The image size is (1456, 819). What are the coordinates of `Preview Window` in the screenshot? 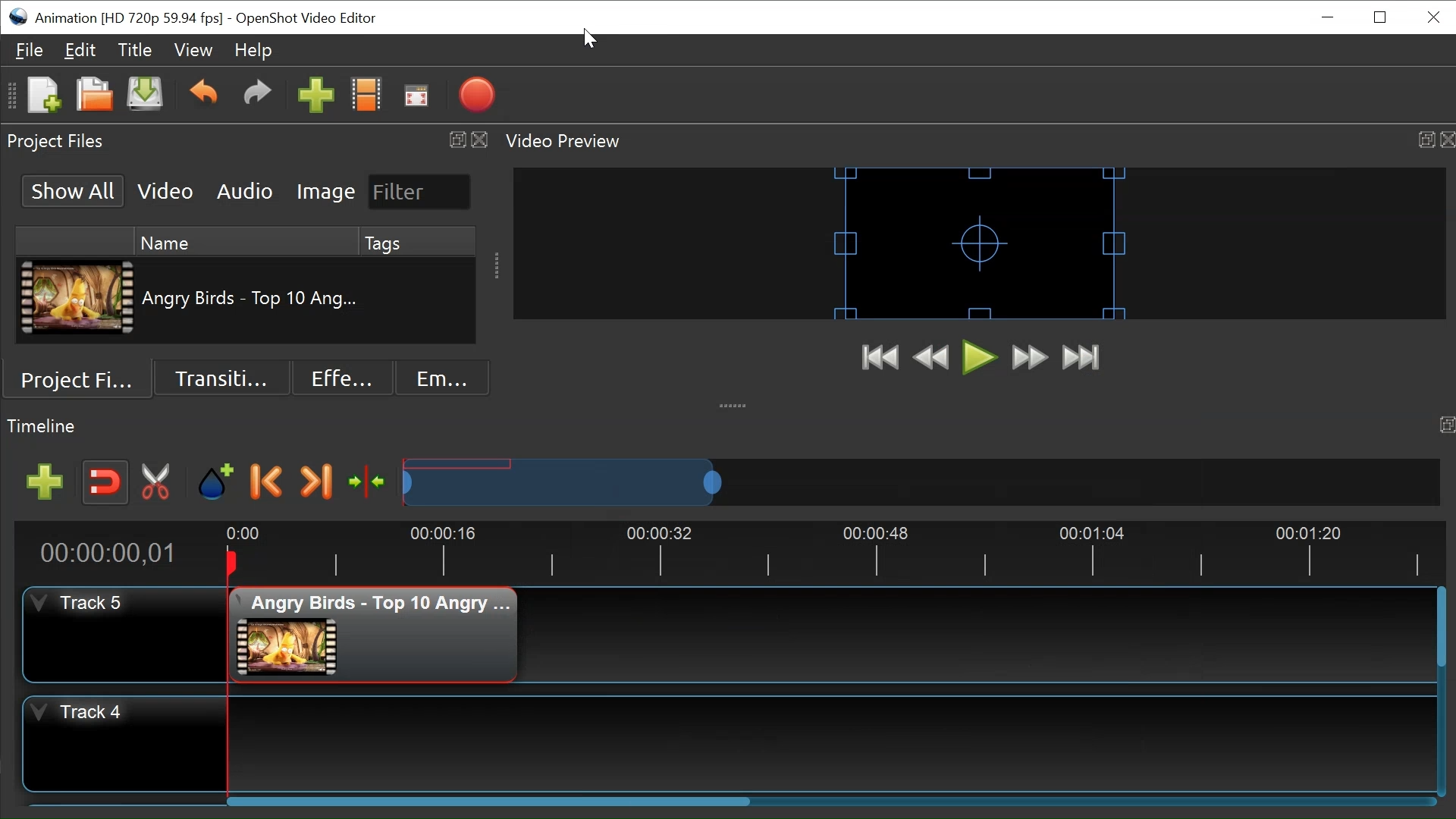 It's located at (981, 244).